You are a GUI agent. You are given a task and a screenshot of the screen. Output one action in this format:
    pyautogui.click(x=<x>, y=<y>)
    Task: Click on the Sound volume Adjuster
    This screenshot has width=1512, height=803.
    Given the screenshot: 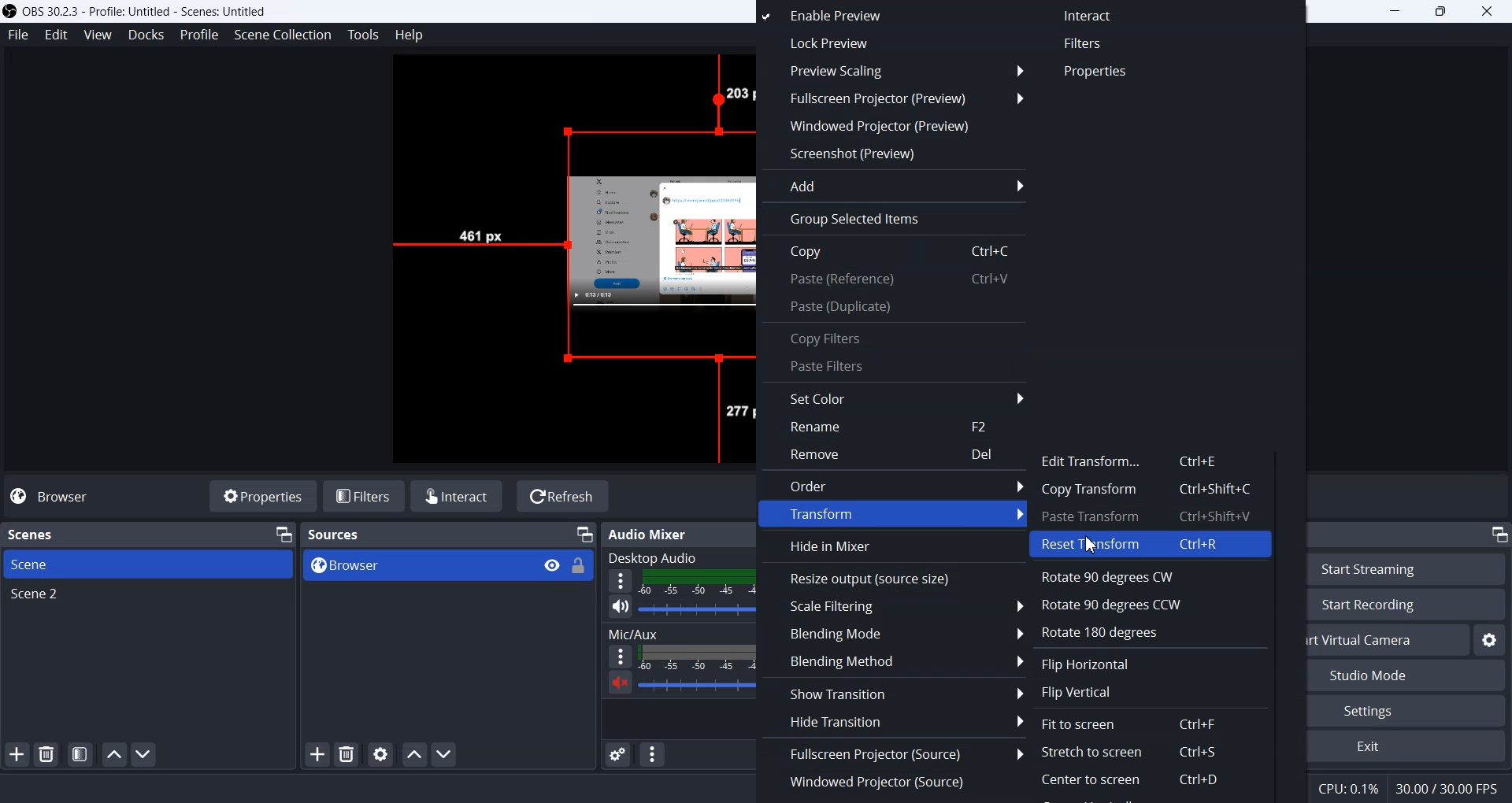 What is the action you would take?
    pyautogui.click(x=696, y=609)
    